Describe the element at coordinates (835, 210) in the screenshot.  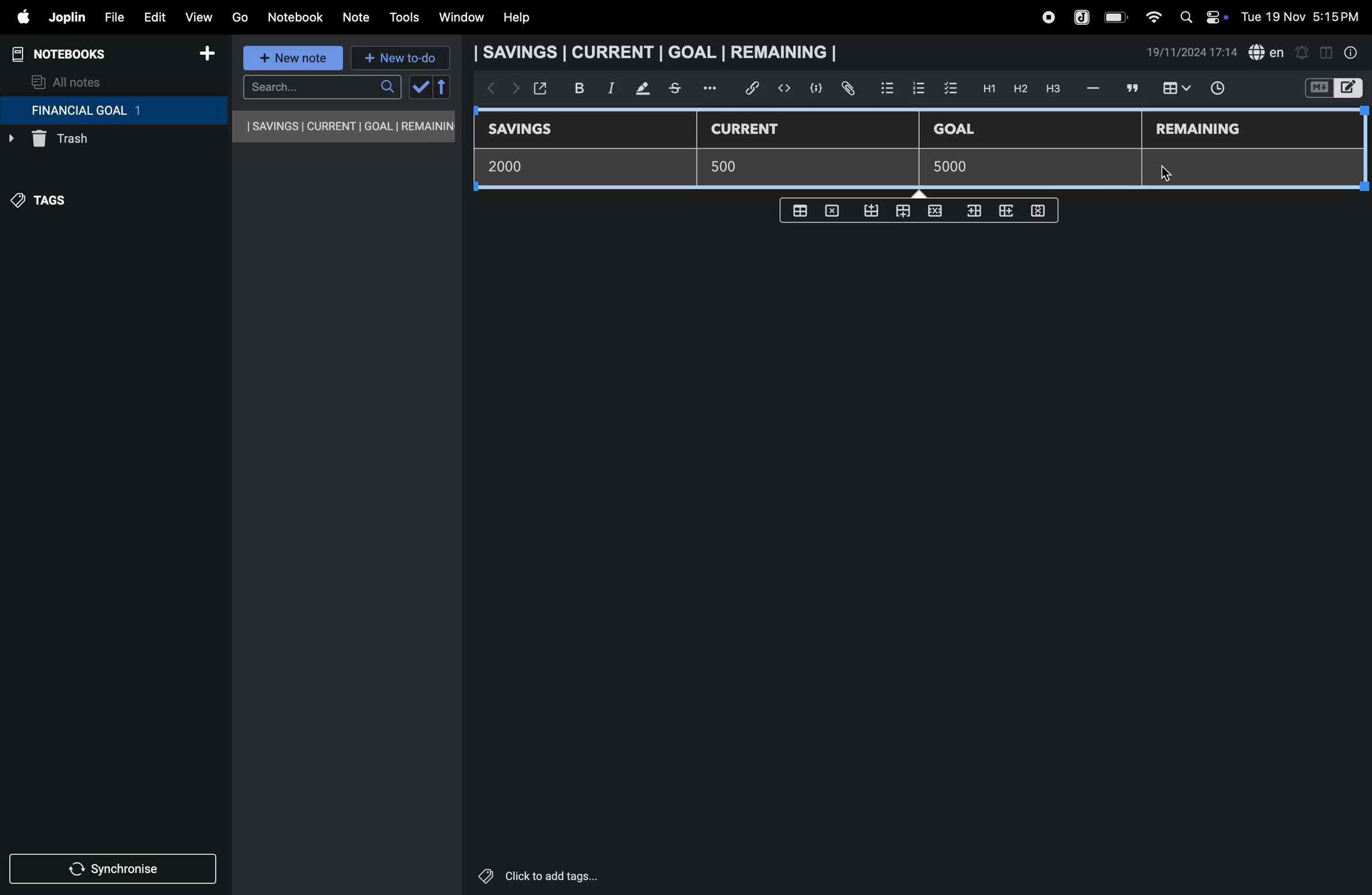
I see `delete` at that location.